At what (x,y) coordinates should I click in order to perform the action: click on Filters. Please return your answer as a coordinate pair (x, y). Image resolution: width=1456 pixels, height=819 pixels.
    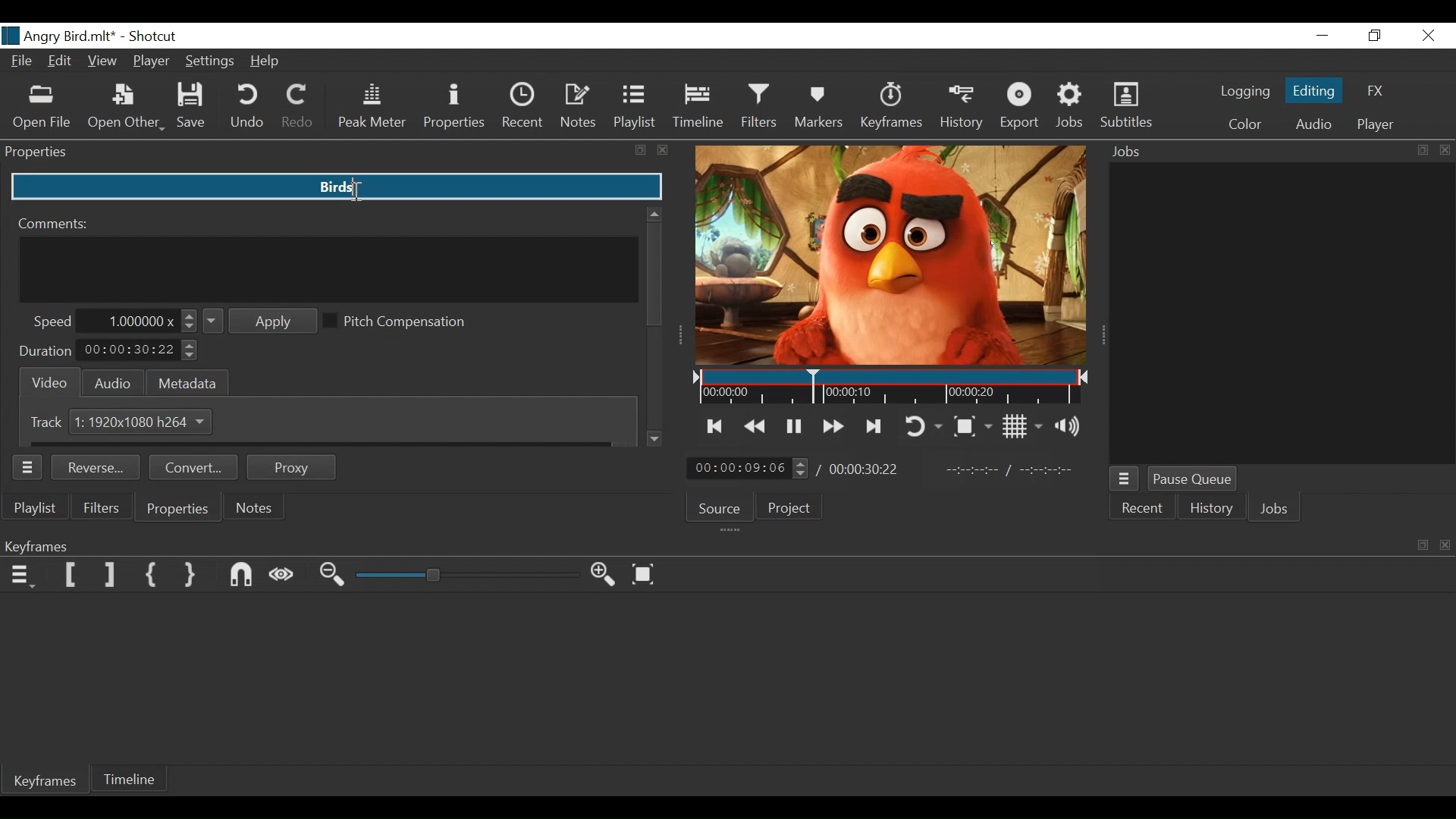
    Looking at the image, I should click on (103, 507).